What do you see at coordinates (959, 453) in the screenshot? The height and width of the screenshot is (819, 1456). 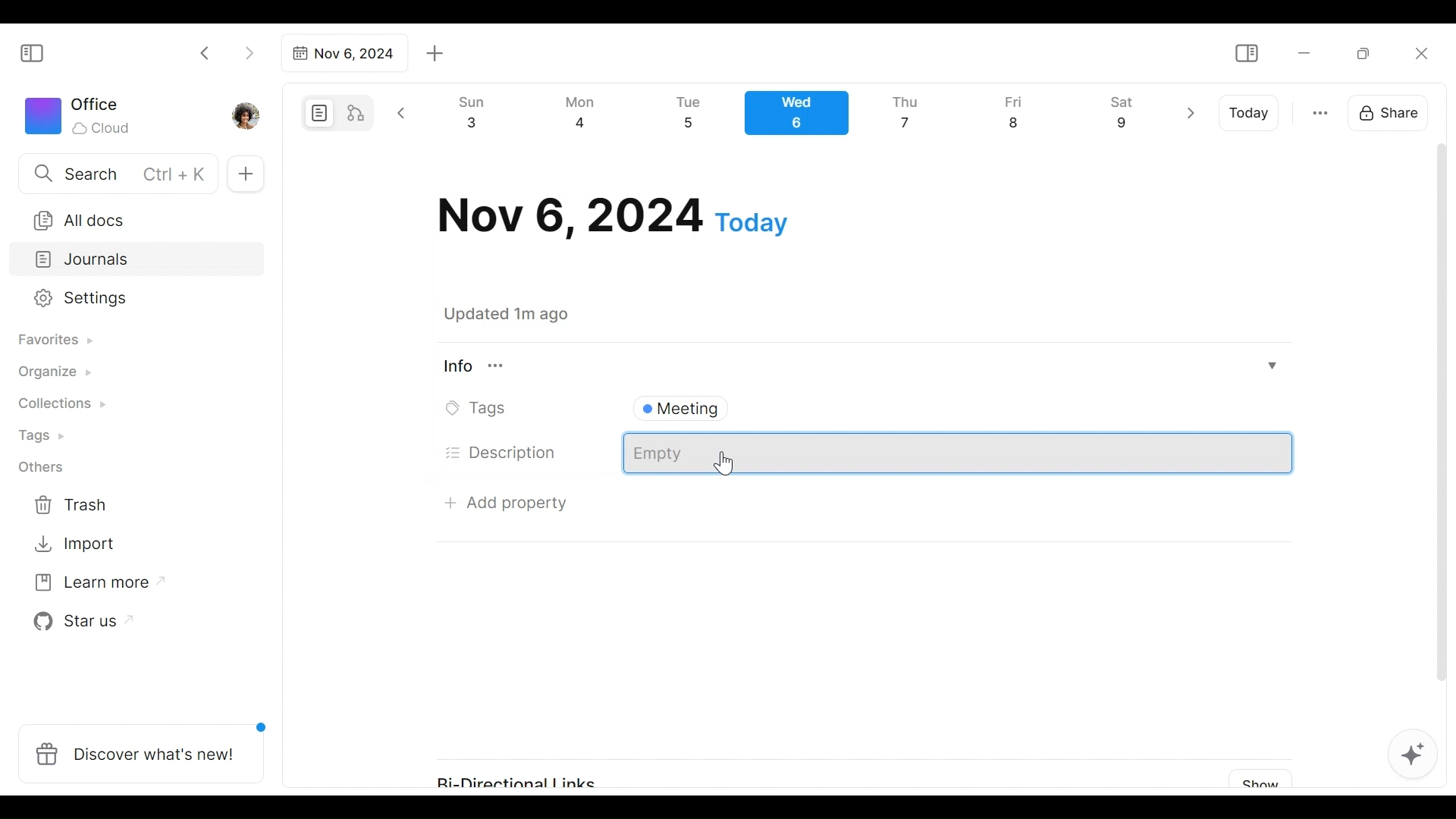 I see `Descriptions` at bounding box center [959, 453].